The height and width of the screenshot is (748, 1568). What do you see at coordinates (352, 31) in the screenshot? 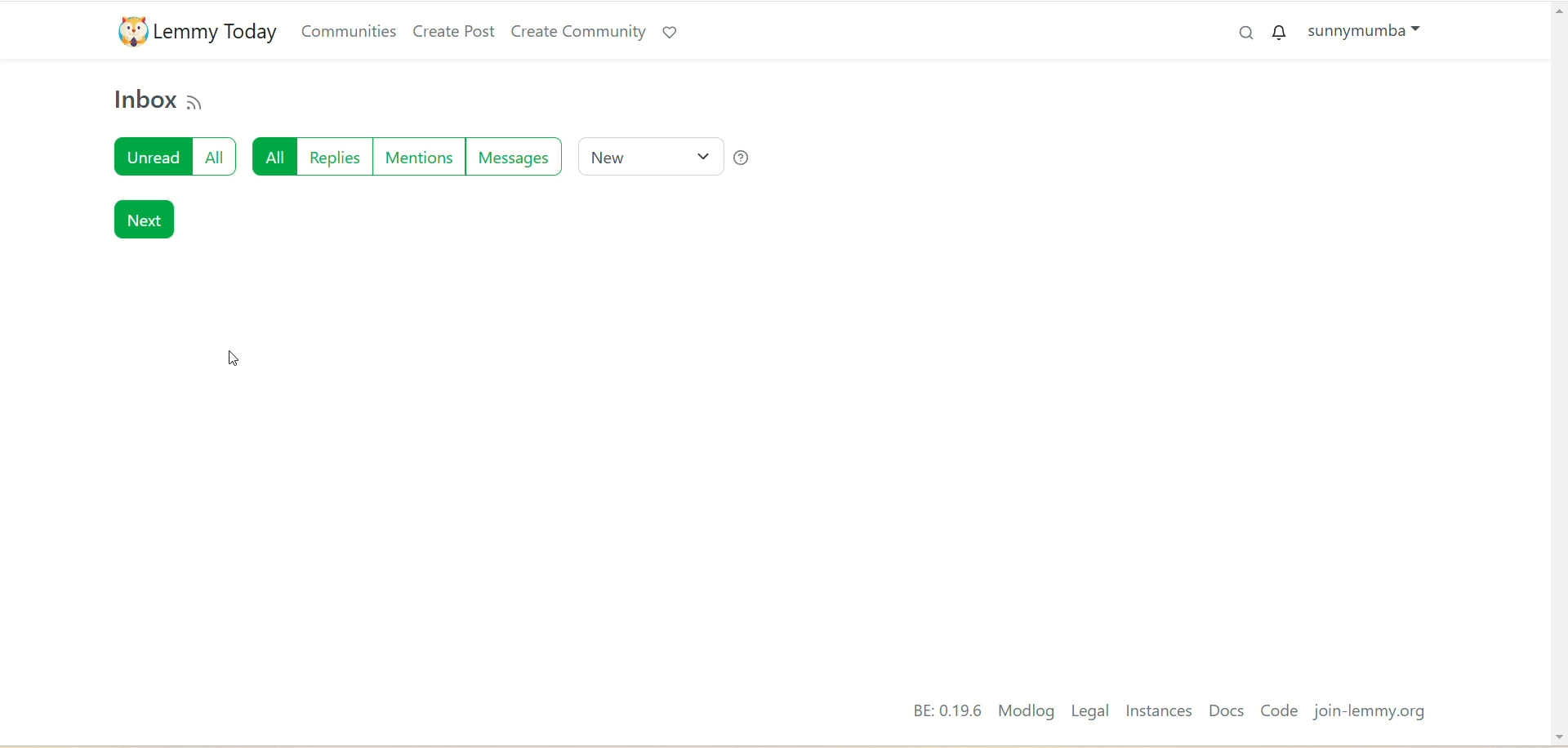
I see `communities` at bounding box center [352, 31].